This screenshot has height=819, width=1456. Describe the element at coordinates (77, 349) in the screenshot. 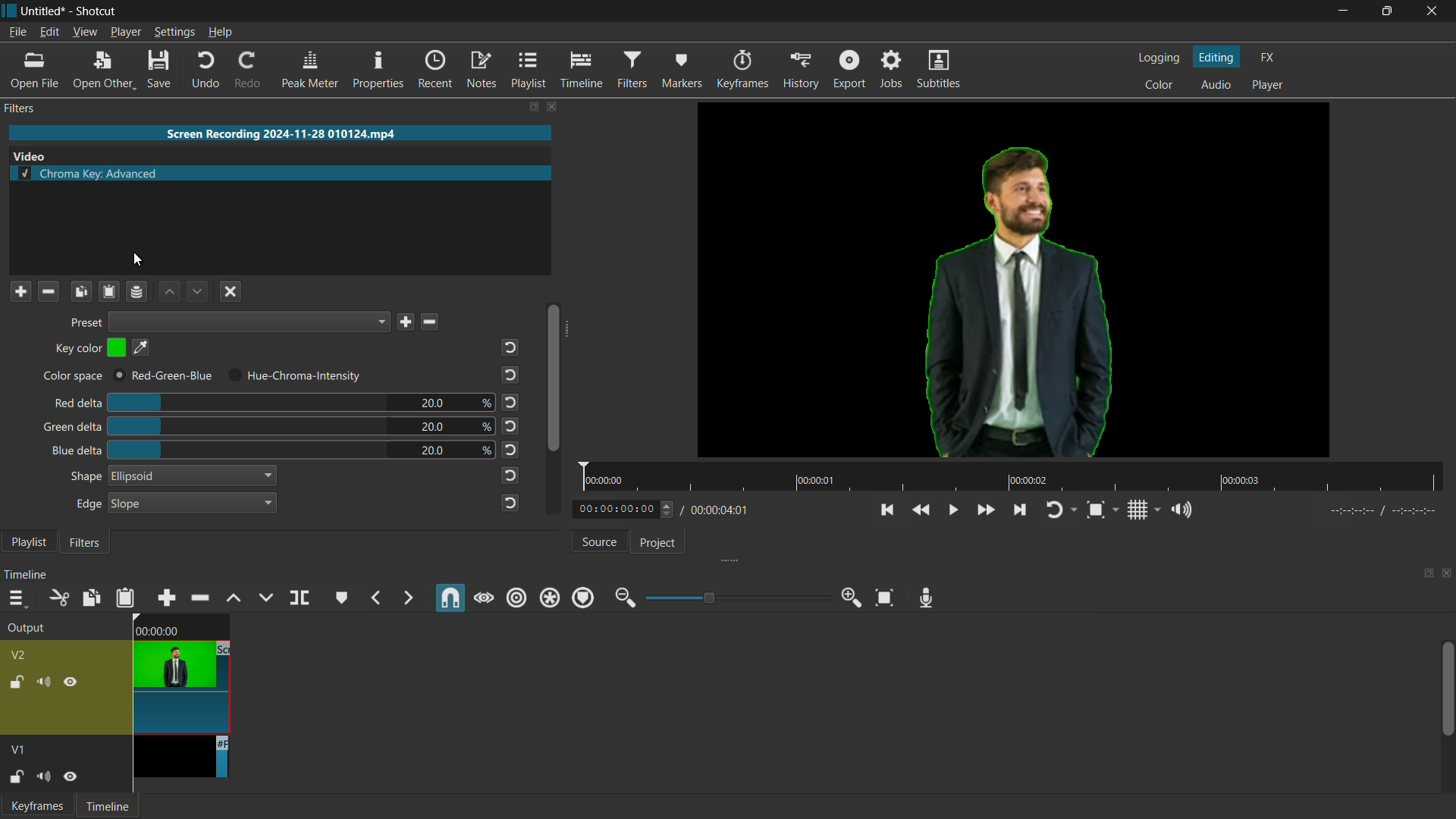

I see `key color` at that location.